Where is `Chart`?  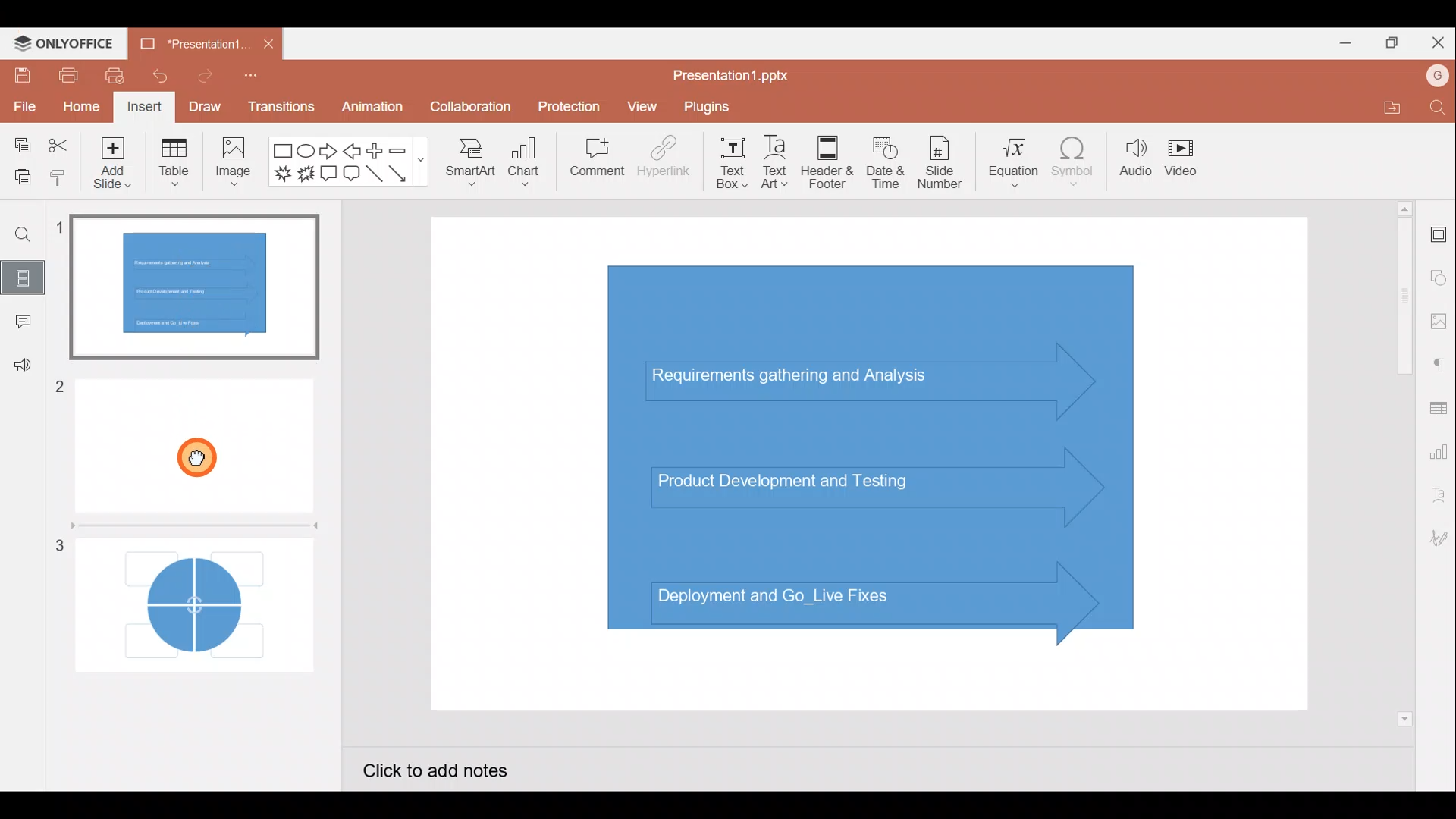
Chart is located at coordinates (528, 166).